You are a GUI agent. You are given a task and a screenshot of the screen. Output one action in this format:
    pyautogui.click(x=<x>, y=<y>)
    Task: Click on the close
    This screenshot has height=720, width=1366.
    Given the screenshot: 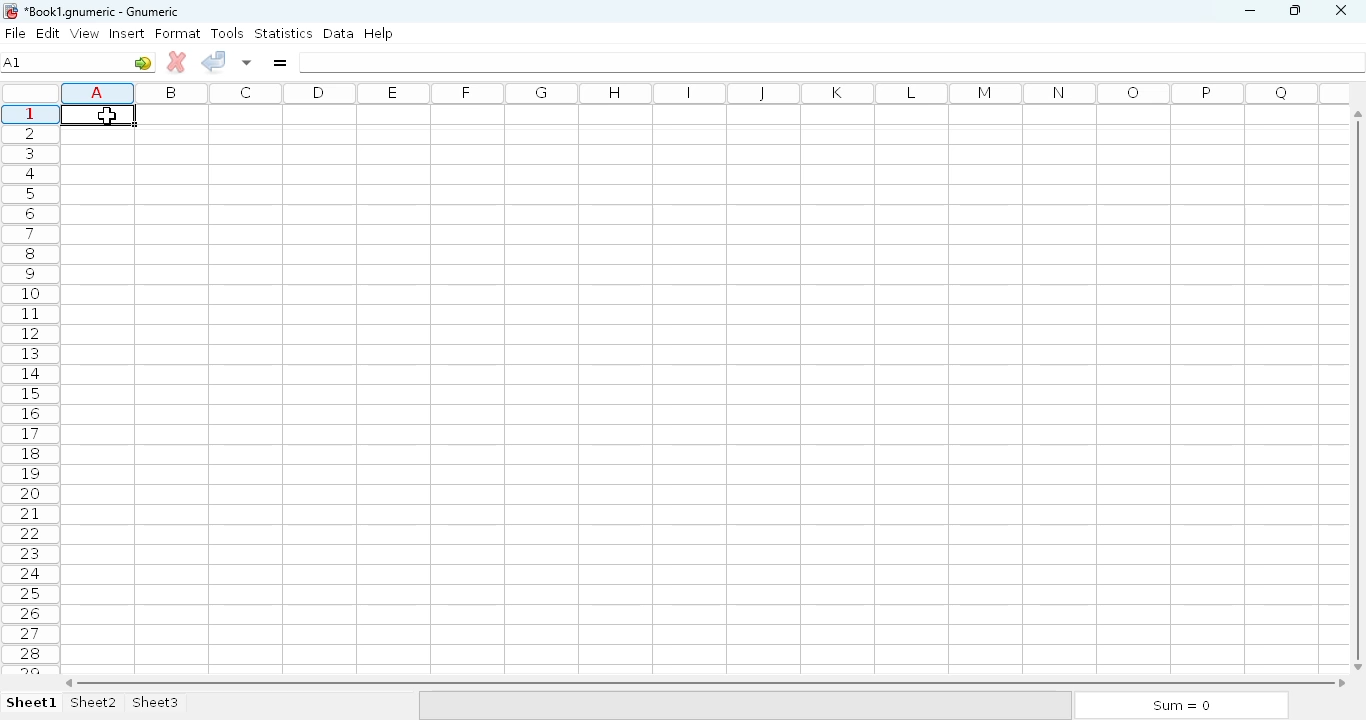 What is the action you would take?
    pyautogui.click(x=1340, y=11)
    